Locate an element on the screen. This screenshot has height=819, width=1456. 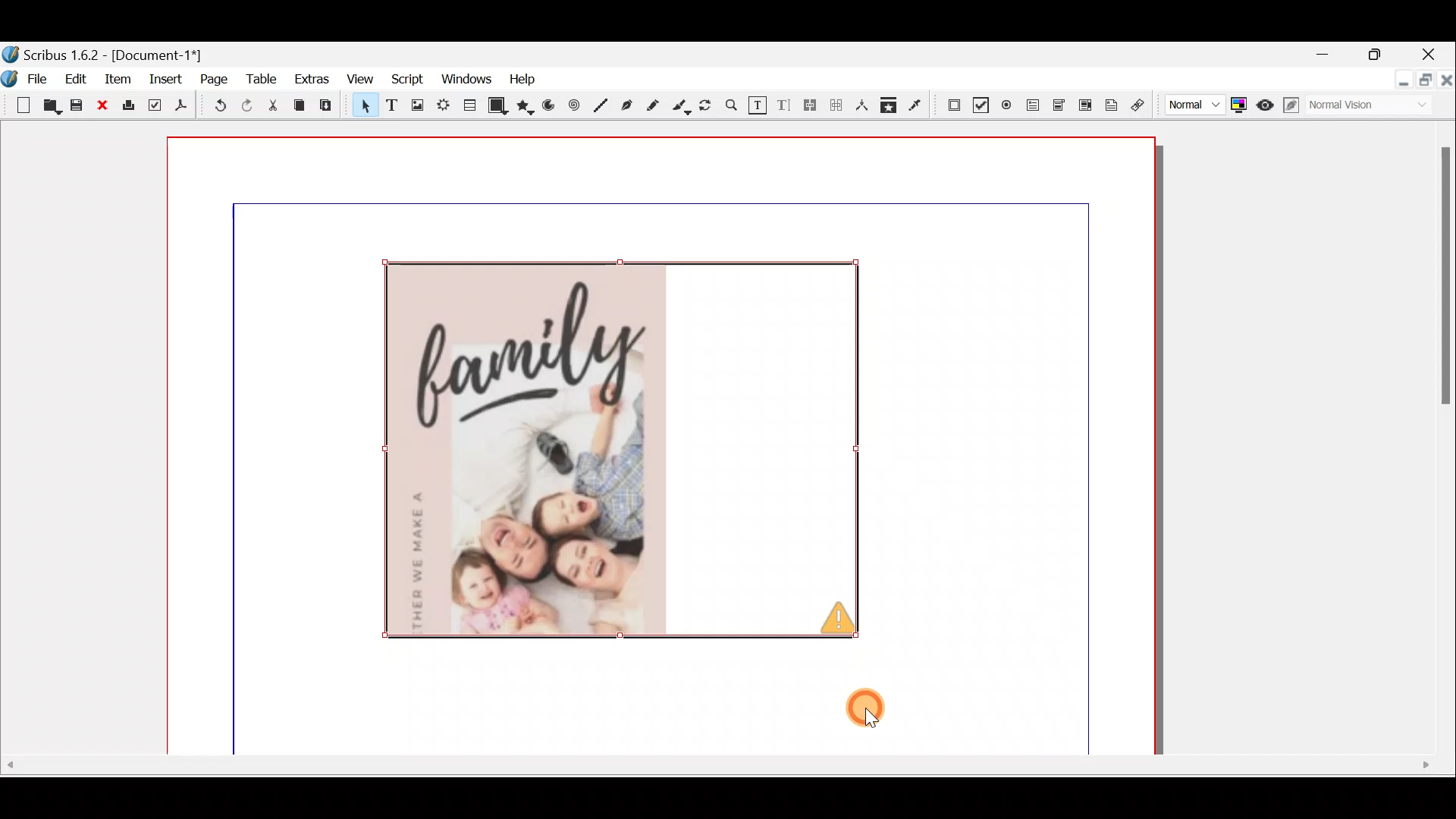
Image frame is located at coordinates (415, 107).